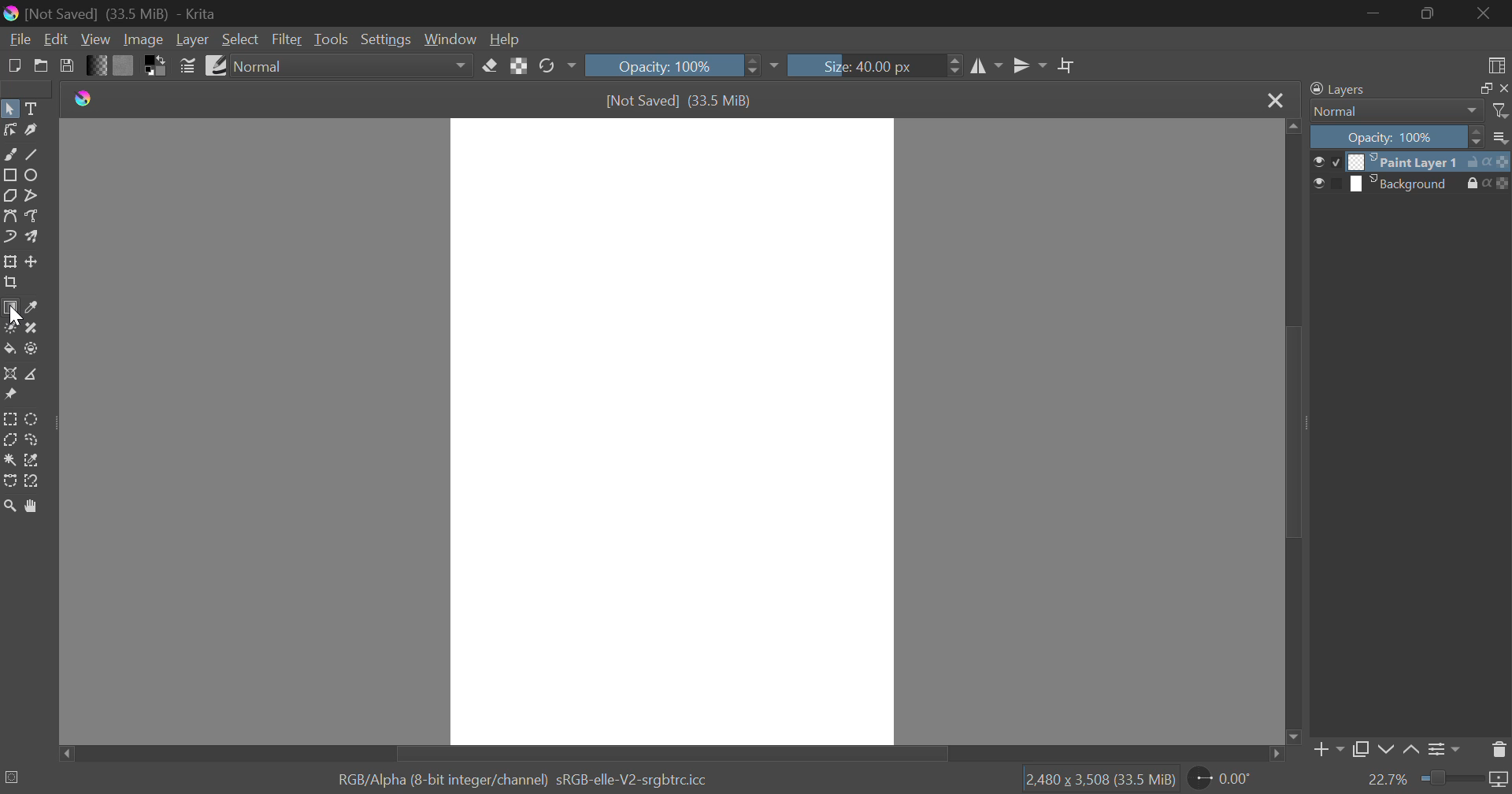 Image resolution: width=1512 pixels, height=794 pixels. Describe the element at coordinates (384, 39) in the screenshot. I see `Settings` at that location.